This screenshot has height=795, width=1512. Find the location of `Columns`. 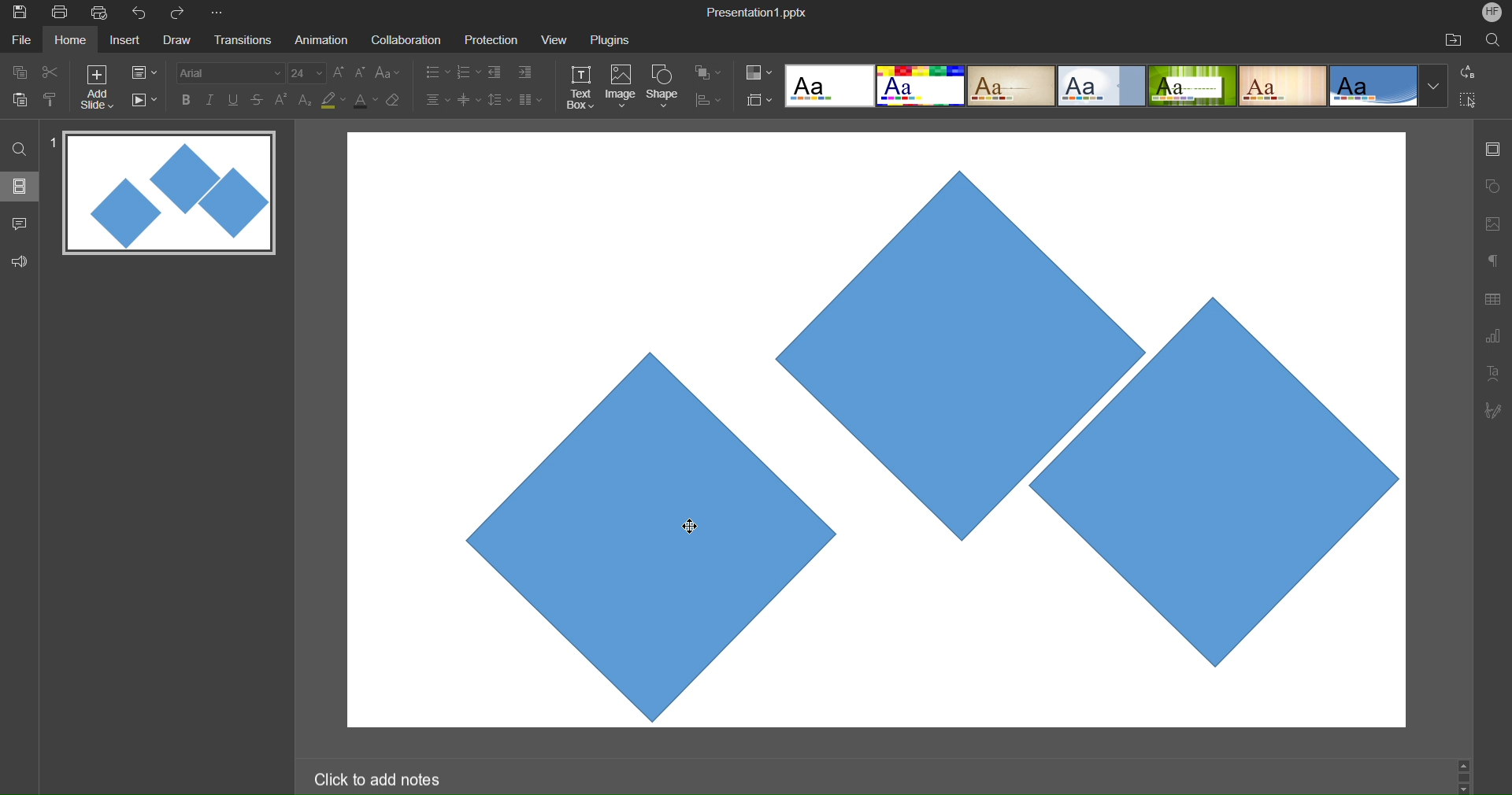

Columns is located at coordinates (532, 99).